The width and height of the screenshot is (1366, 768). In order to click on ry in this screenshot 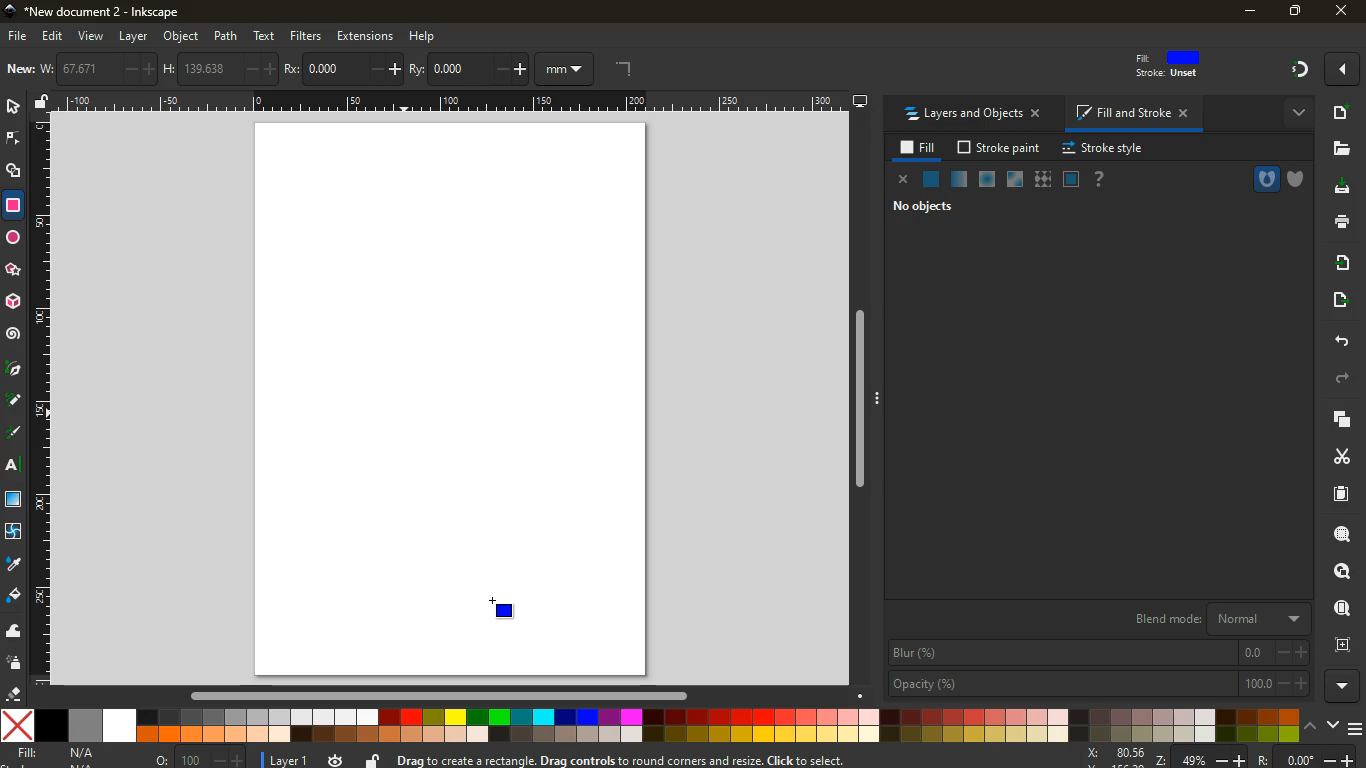, I will do `click(467, 69)`.